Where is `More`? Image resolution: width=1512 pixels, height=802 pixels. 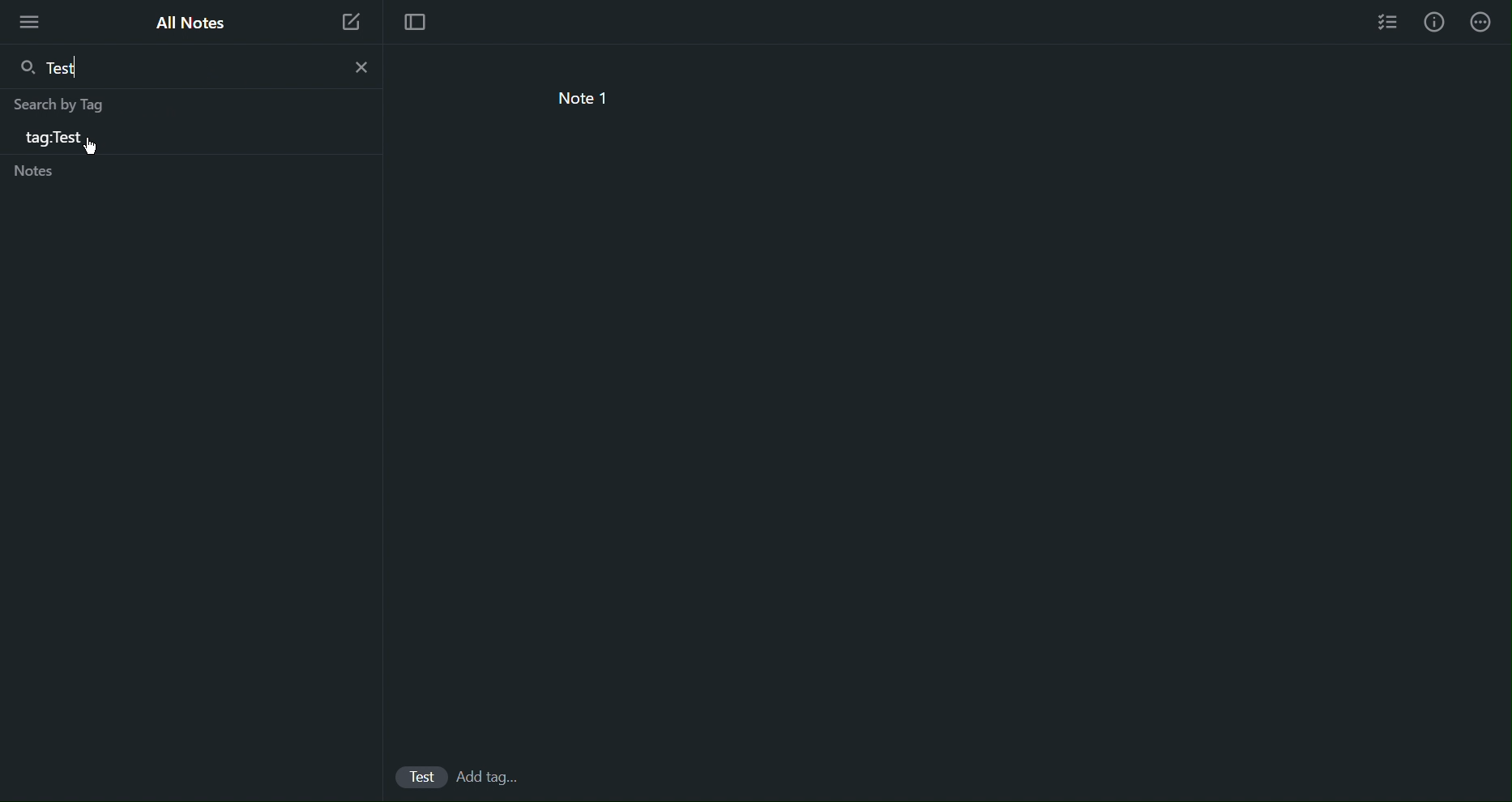
More is located at coordinates (1488, 21).